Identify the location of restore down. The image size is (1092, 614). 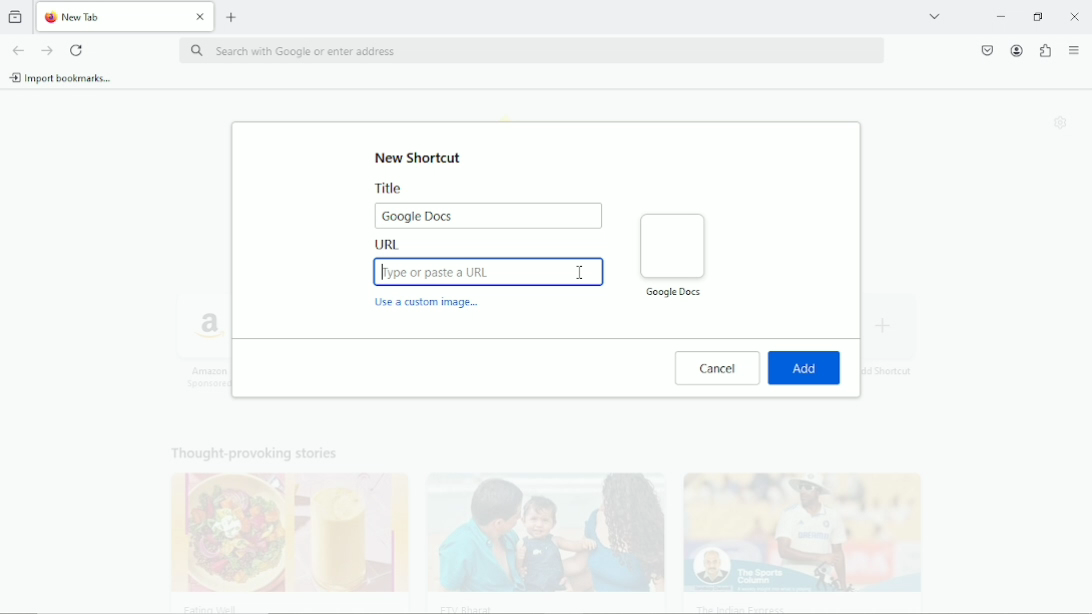
(1039, 16).